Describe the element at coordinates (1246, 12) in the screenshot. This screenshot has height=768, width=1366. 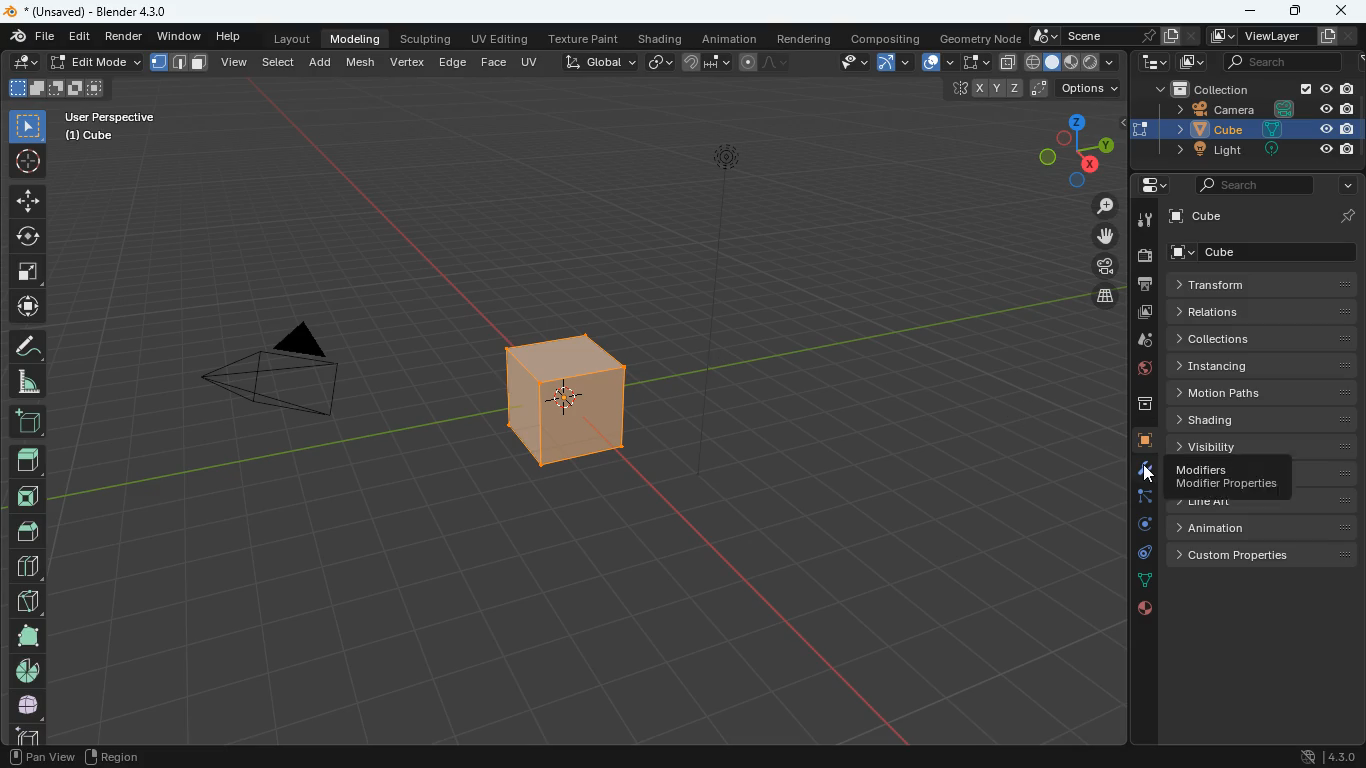
I see `minimize` at that location.